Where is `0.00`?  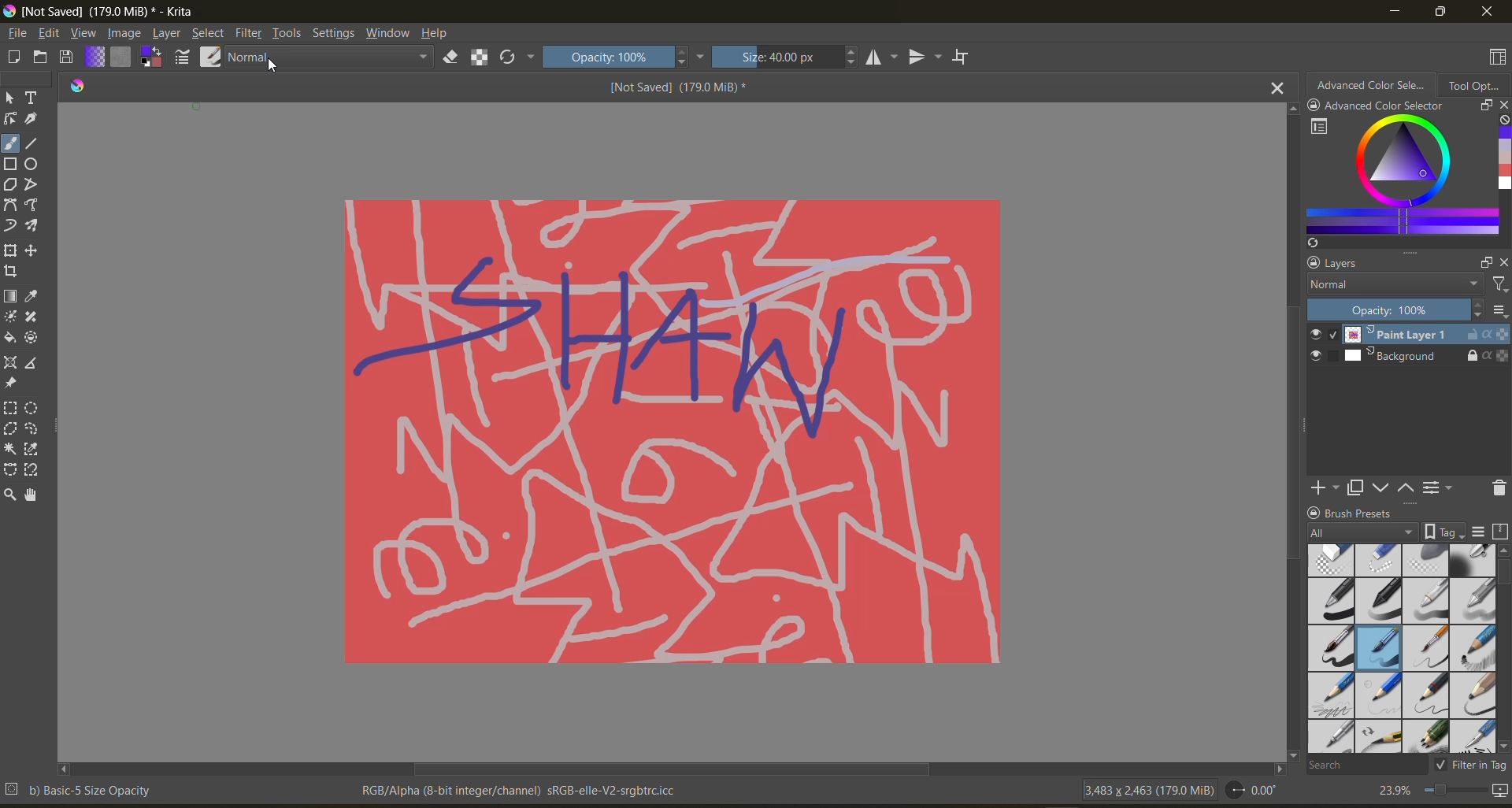 0.00 is located at coordinates (1257, 791).